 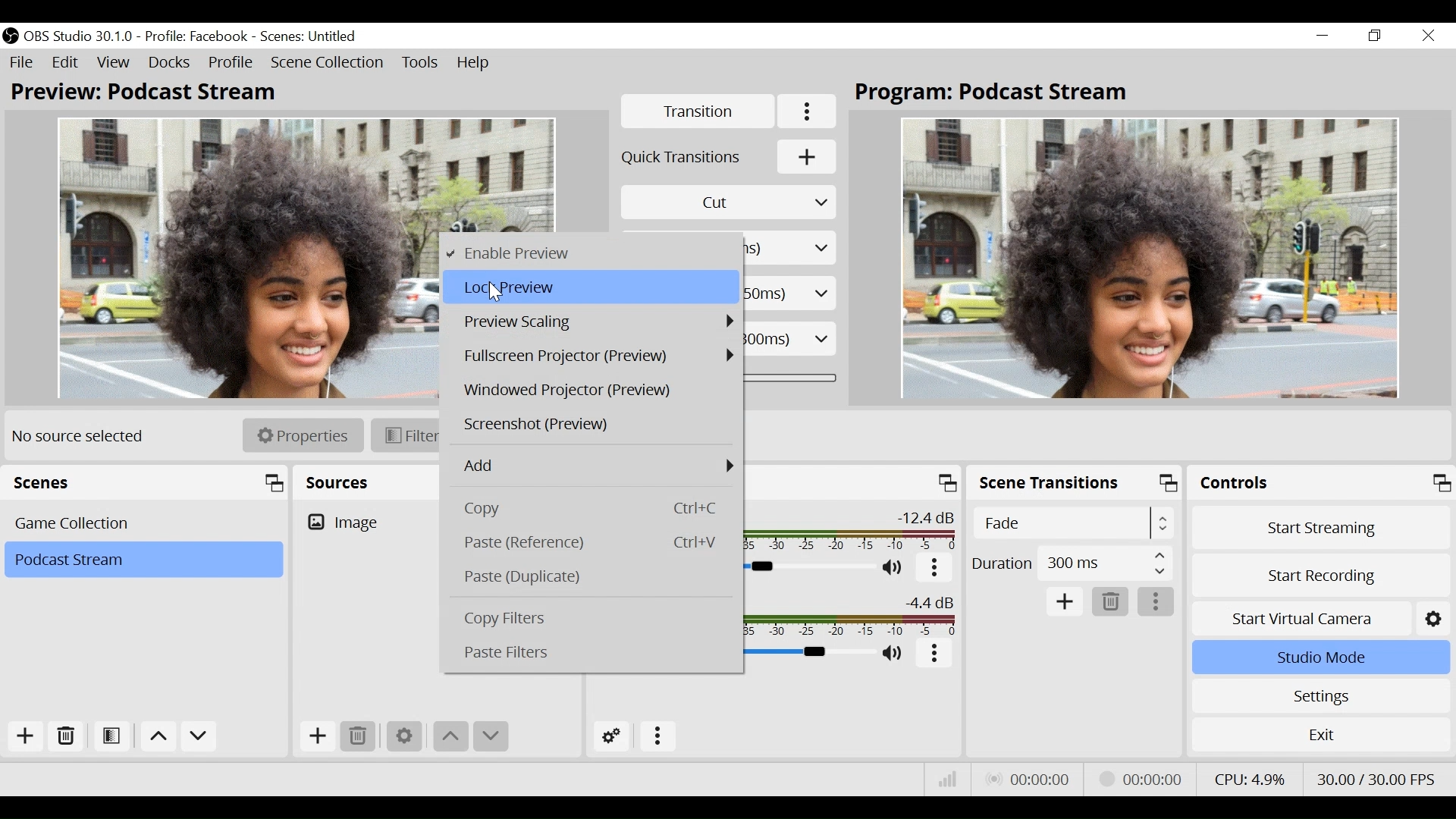 I want to click on Exit, so click(x=1321, y=733).